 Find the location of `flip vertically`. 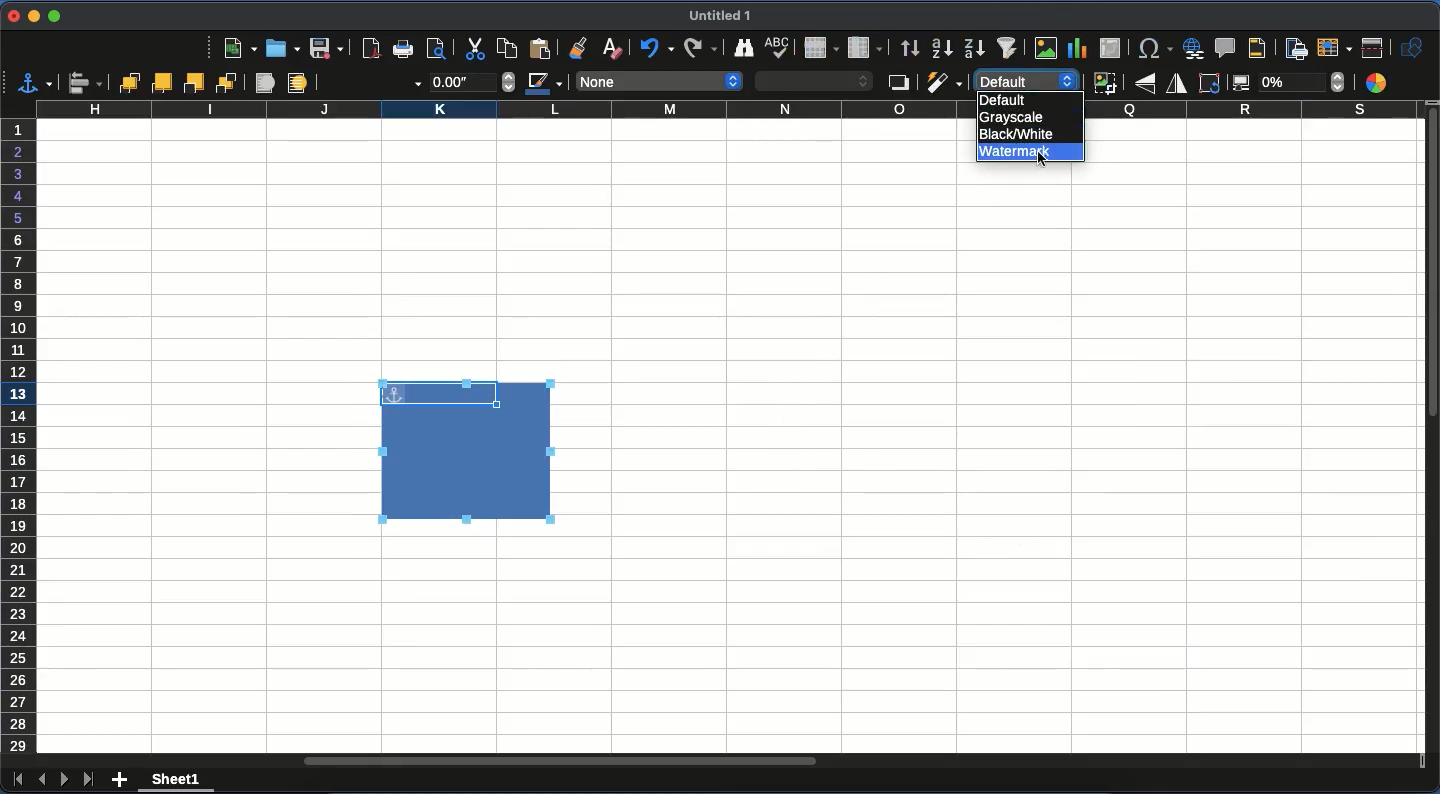

flip vertically is located at coordinates (1145, 85).